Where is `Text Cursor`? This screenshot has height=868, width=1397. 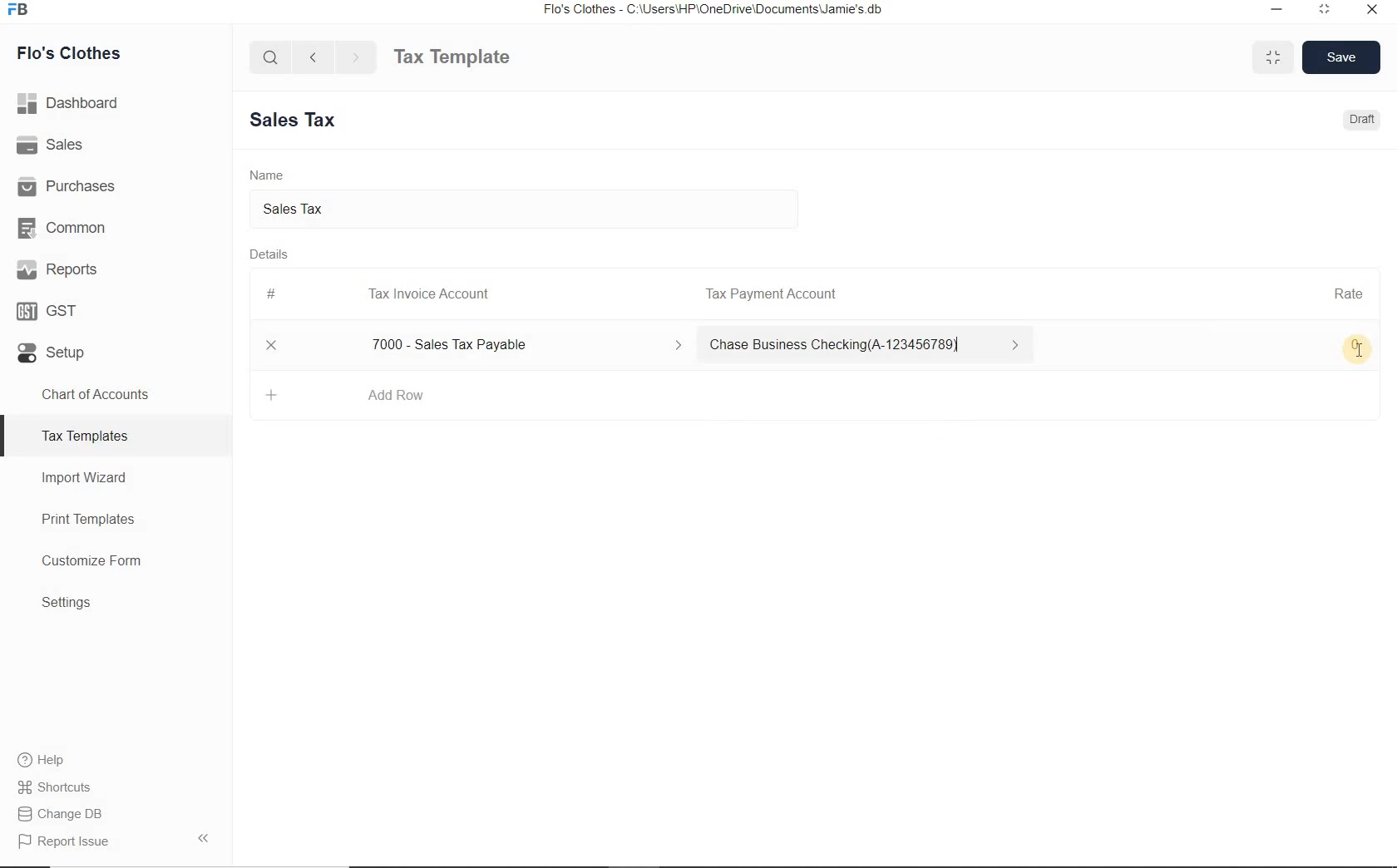 Text Cursor is located at coordinates (1359, 352).